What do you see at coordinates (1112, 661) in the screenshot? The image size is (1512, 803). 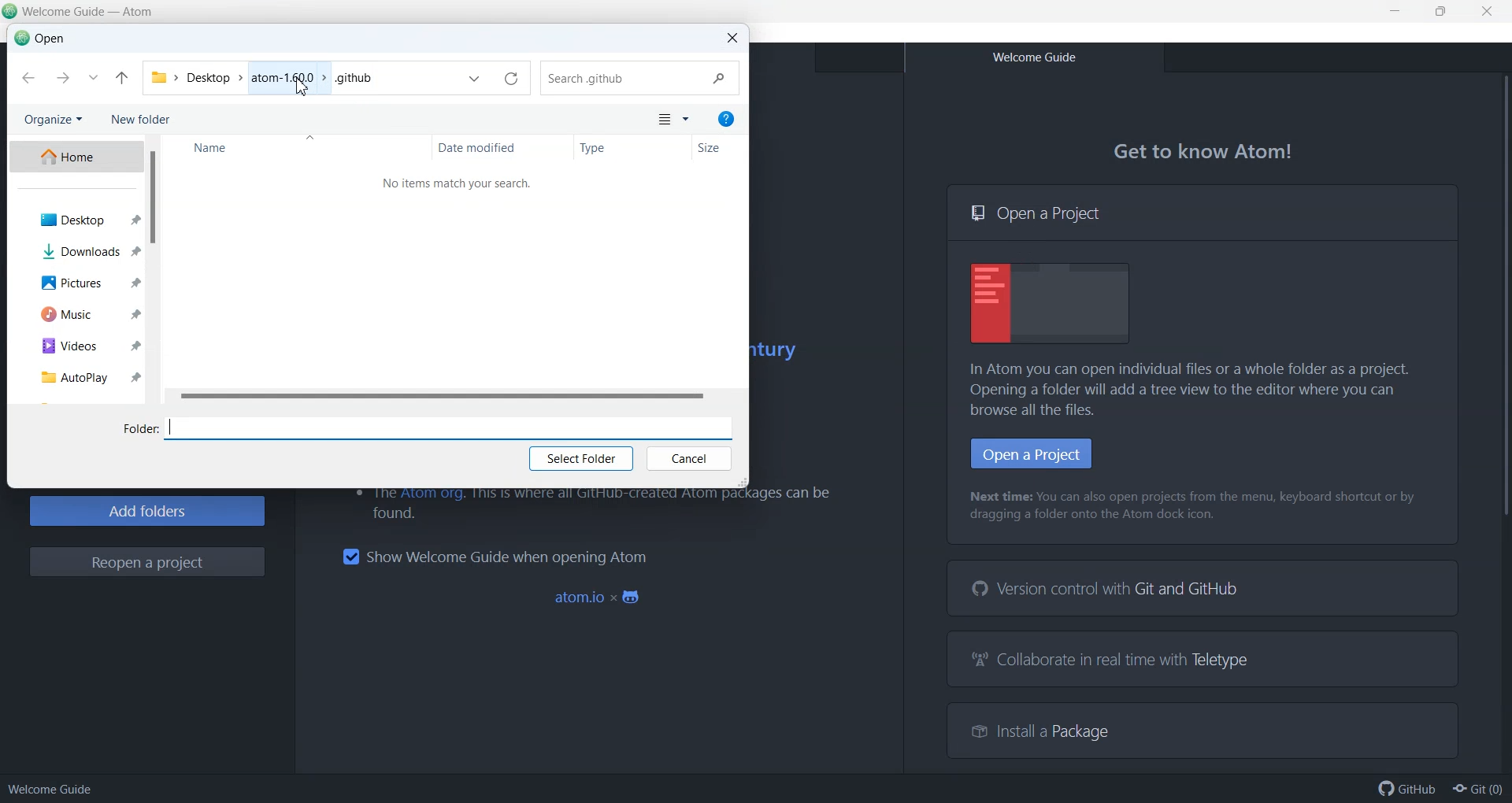 I see `Collaborate in real time with Teletype` at bounding box center [1112, 661].